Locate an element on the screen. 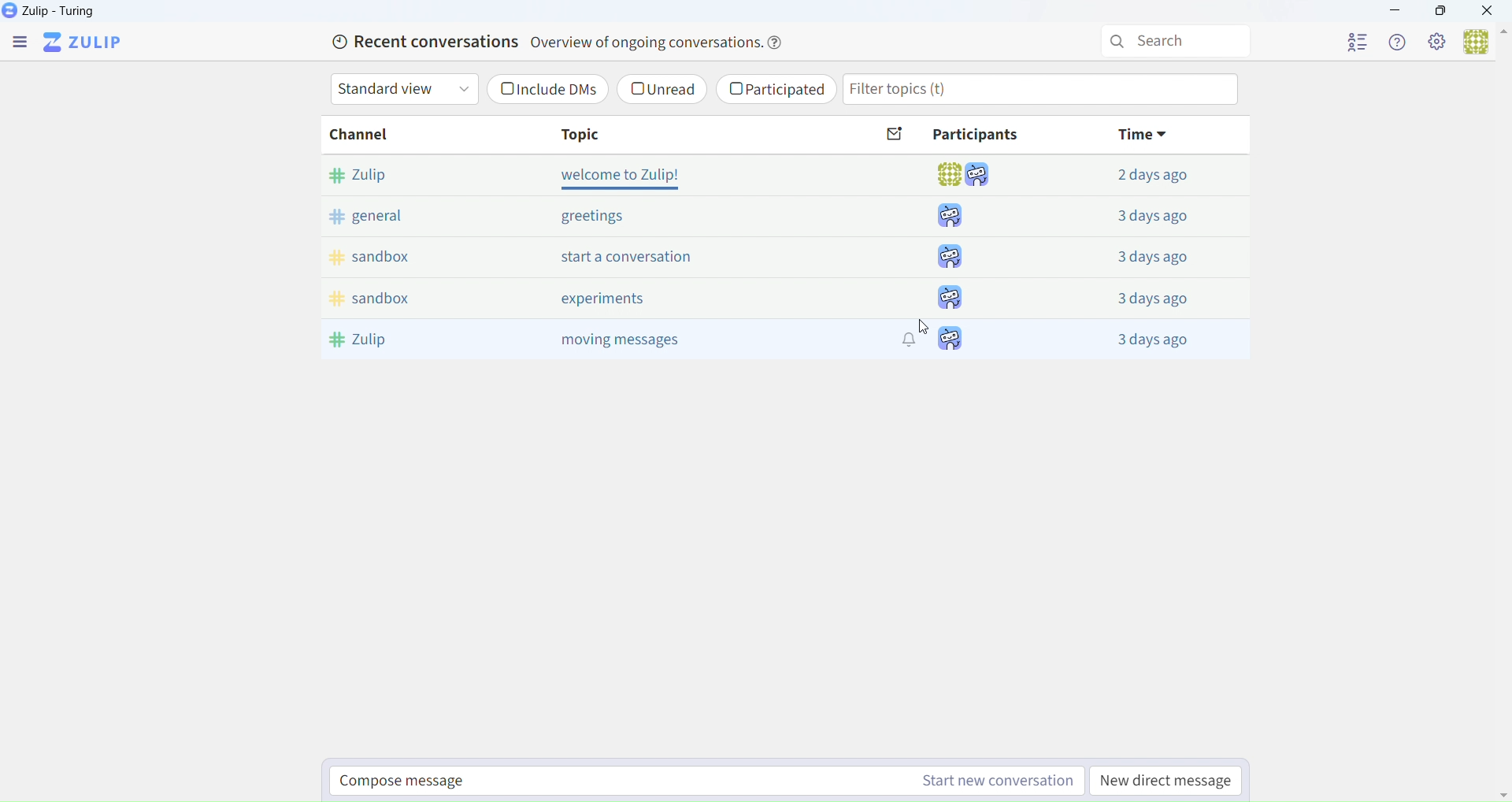 This screenshot has width=1512, height=802. New direct Message is located at coordinates (1165, 782).